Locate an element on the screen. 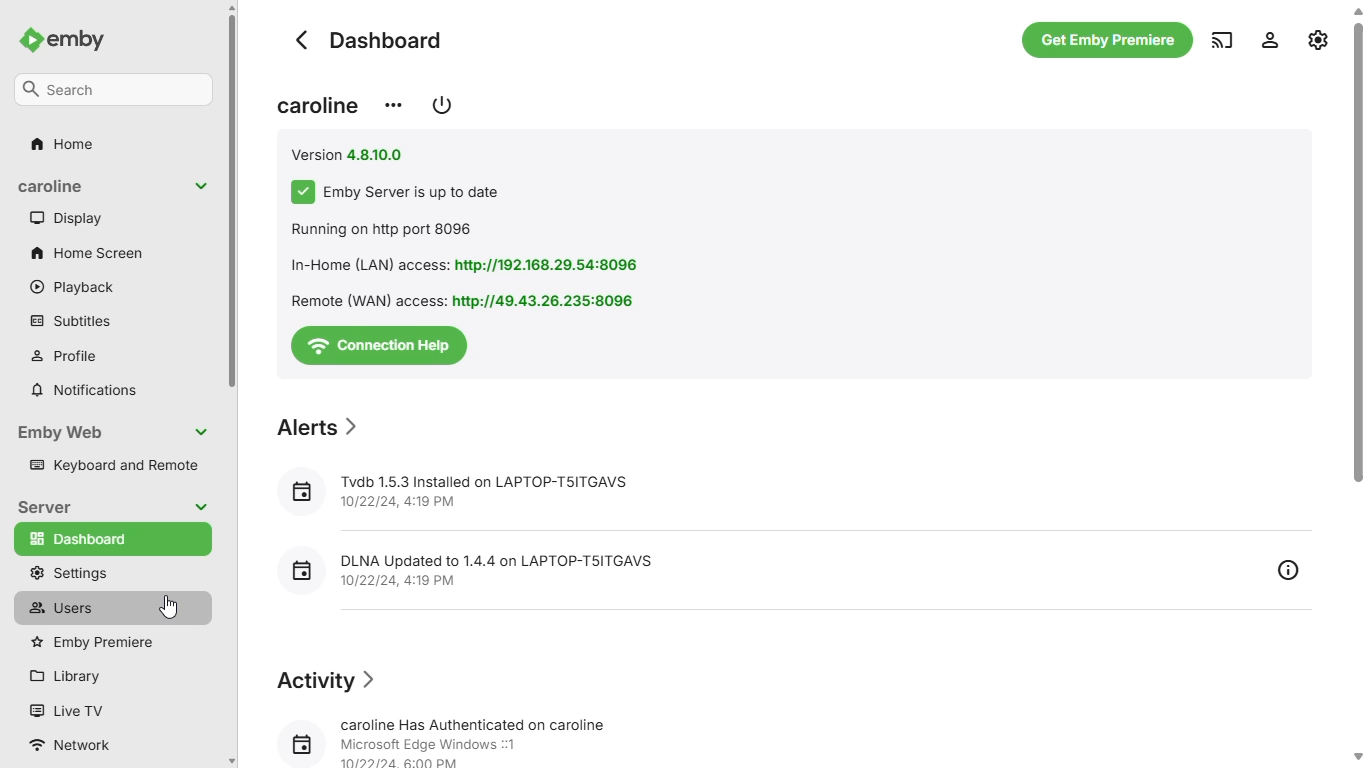 The height and width of the screenshot is (768, 1366). change server display name / view server info is located at coordinates (394, 104).